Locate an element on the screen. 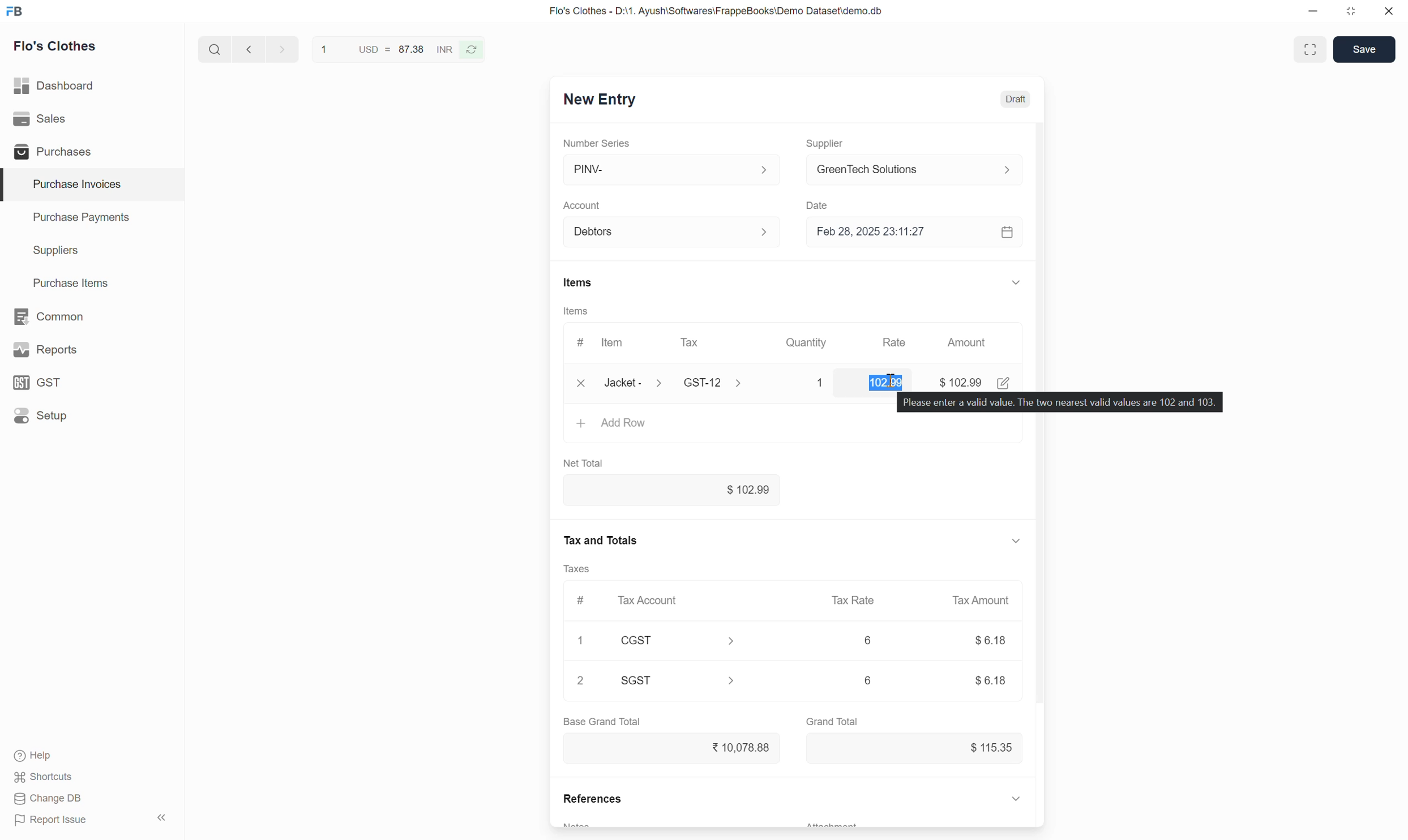 The image size is (1408, 840). Account is located at coordinates (583, 206).